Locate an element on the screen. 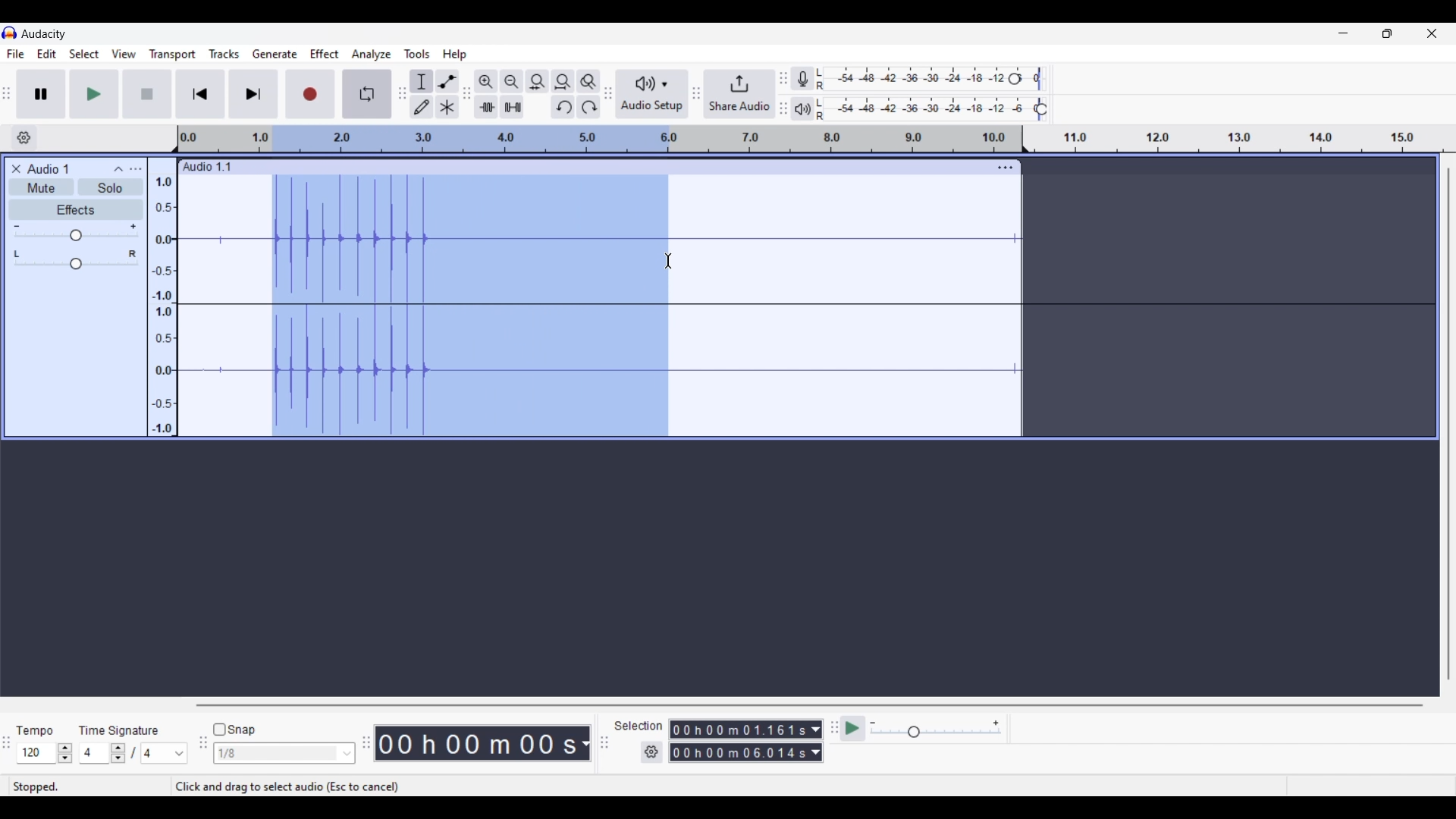  Envelop tool is located at coordinates (447, 80).